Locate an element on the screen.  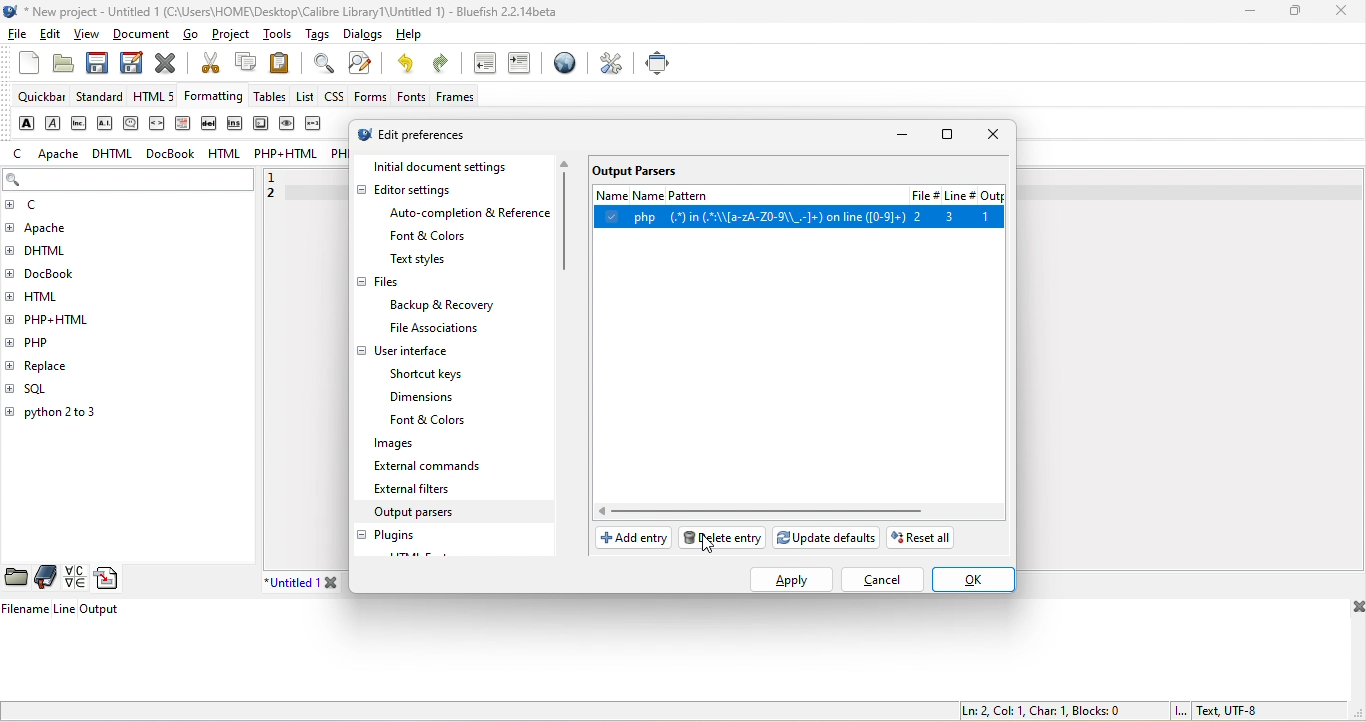
emphasis is located at coordinates (53, 123).